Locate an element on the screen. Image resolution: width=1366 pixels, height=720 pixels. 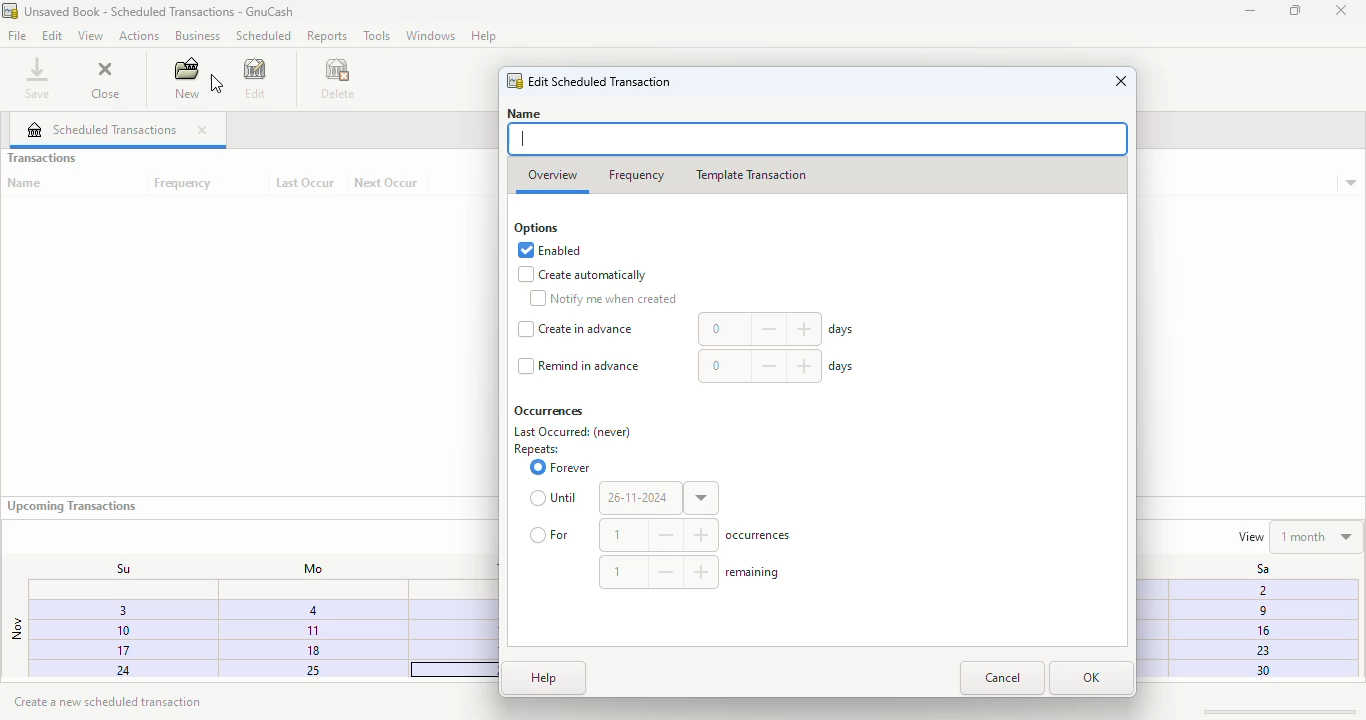
cursor is located at coordinates (209, 81).